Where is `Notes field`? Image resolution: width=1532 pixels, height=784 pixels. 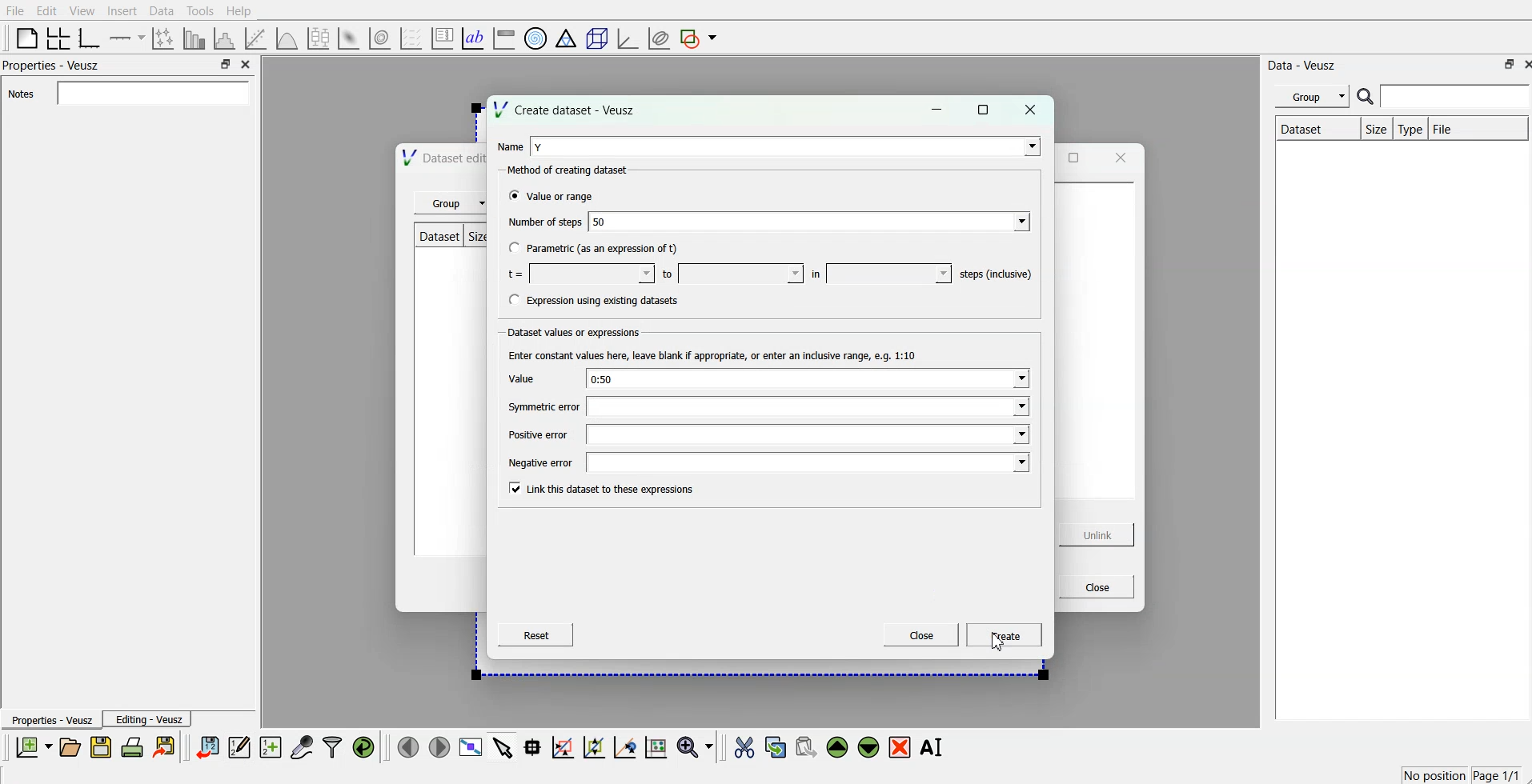
Notes field is located at coordinates (151, 92).